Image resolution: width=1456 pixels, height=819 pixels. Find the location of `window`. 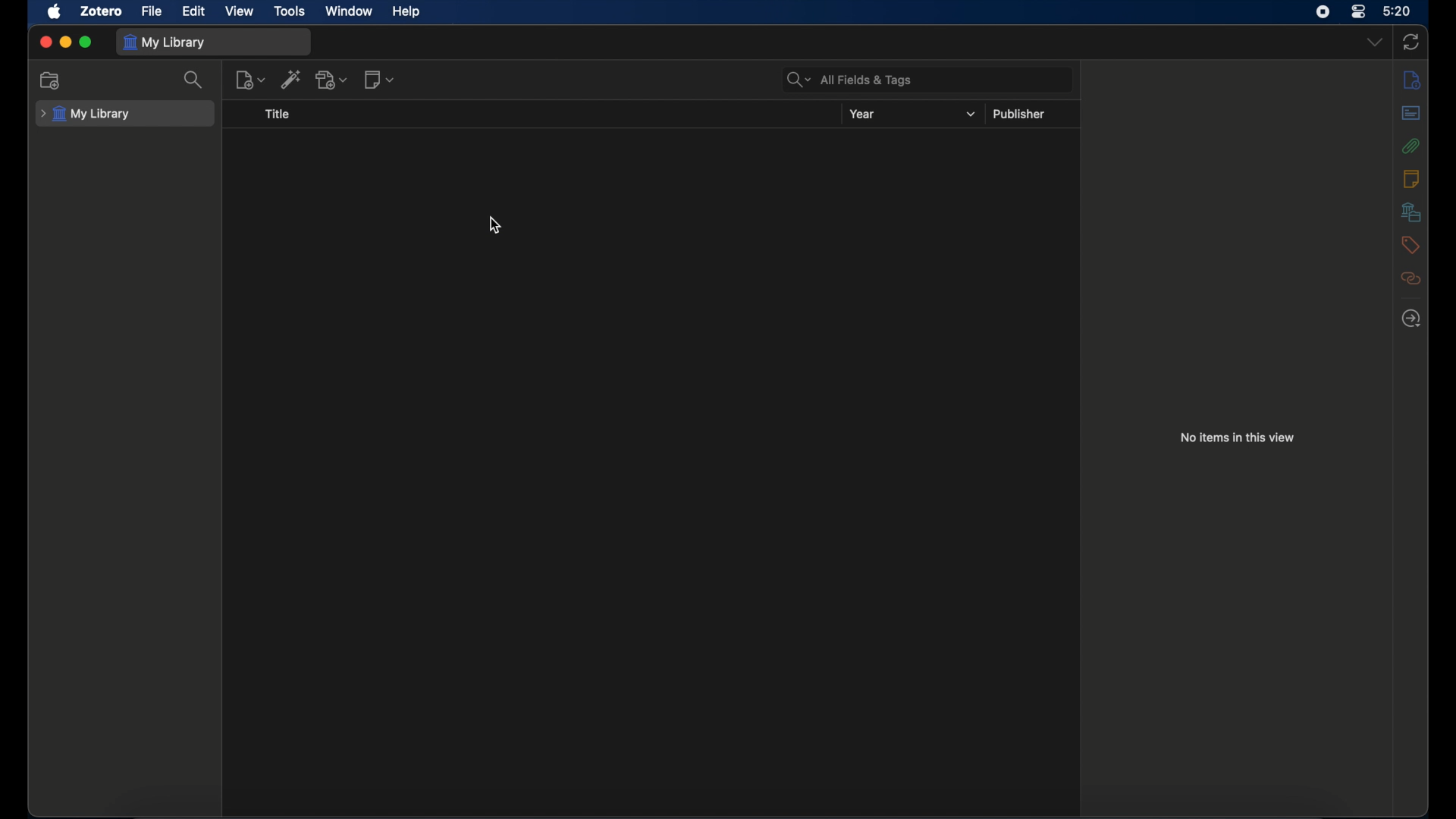

window is located at coordinates (349, 11).